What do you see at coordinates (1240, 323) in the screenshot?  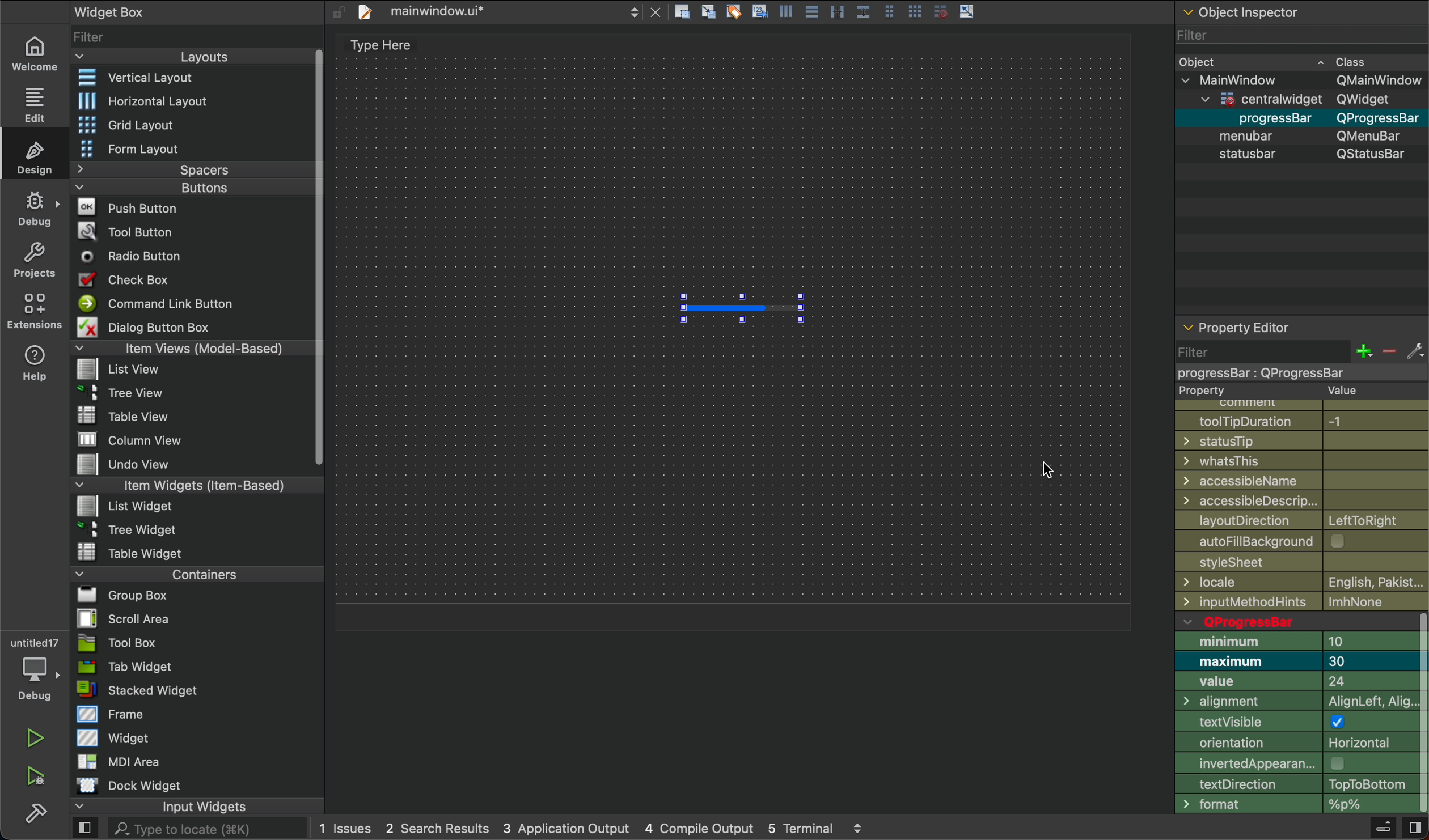 I see `property editor` at bounding box center [1240, 323].